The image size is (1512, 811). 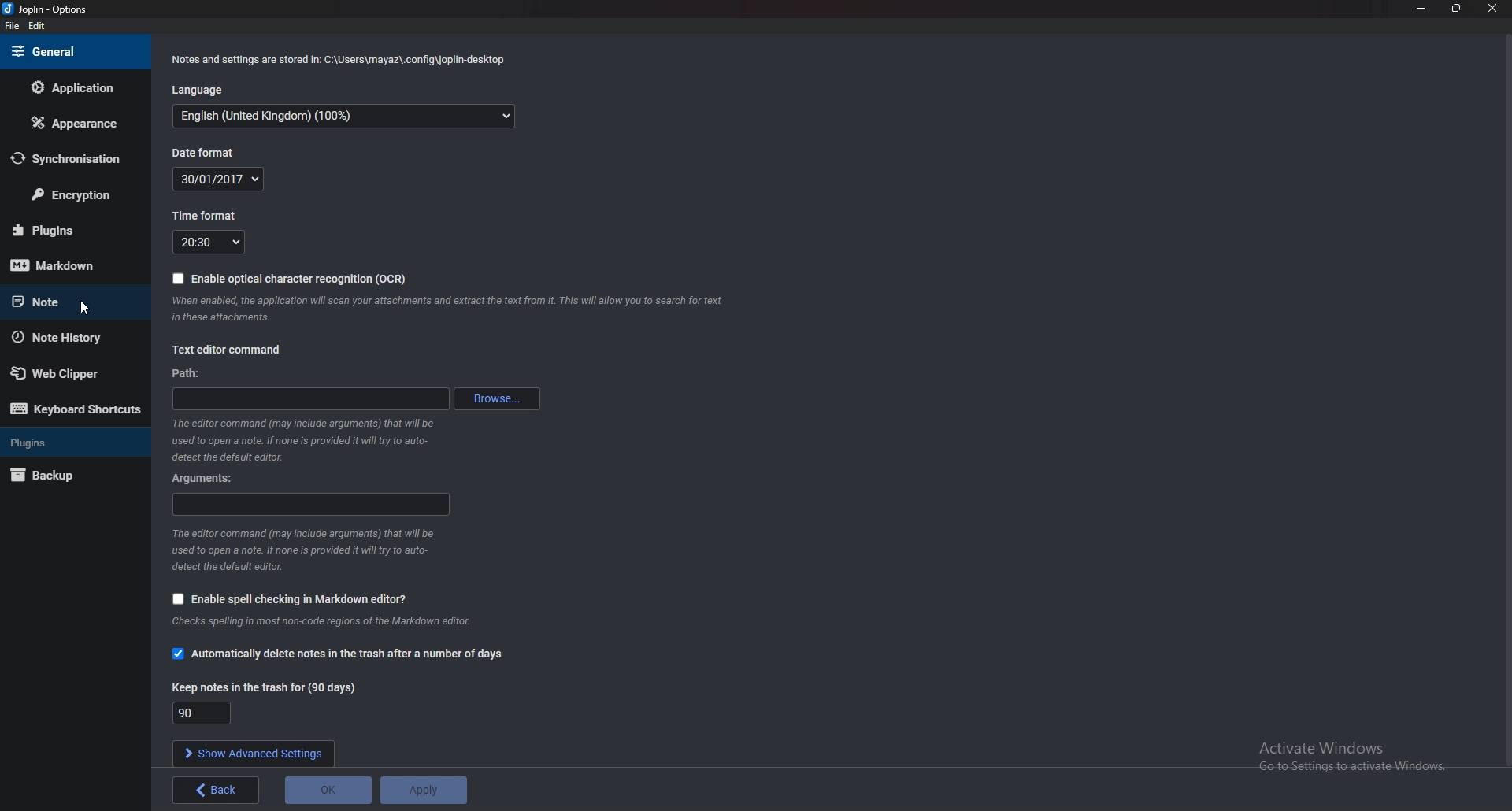 What do you see at coordinates (342, 60) in the screenshot?
I see `Notes and settings are stored in: C:\Users\mayaz\.config\joplin-desktop` at bounding box center [342, 60].